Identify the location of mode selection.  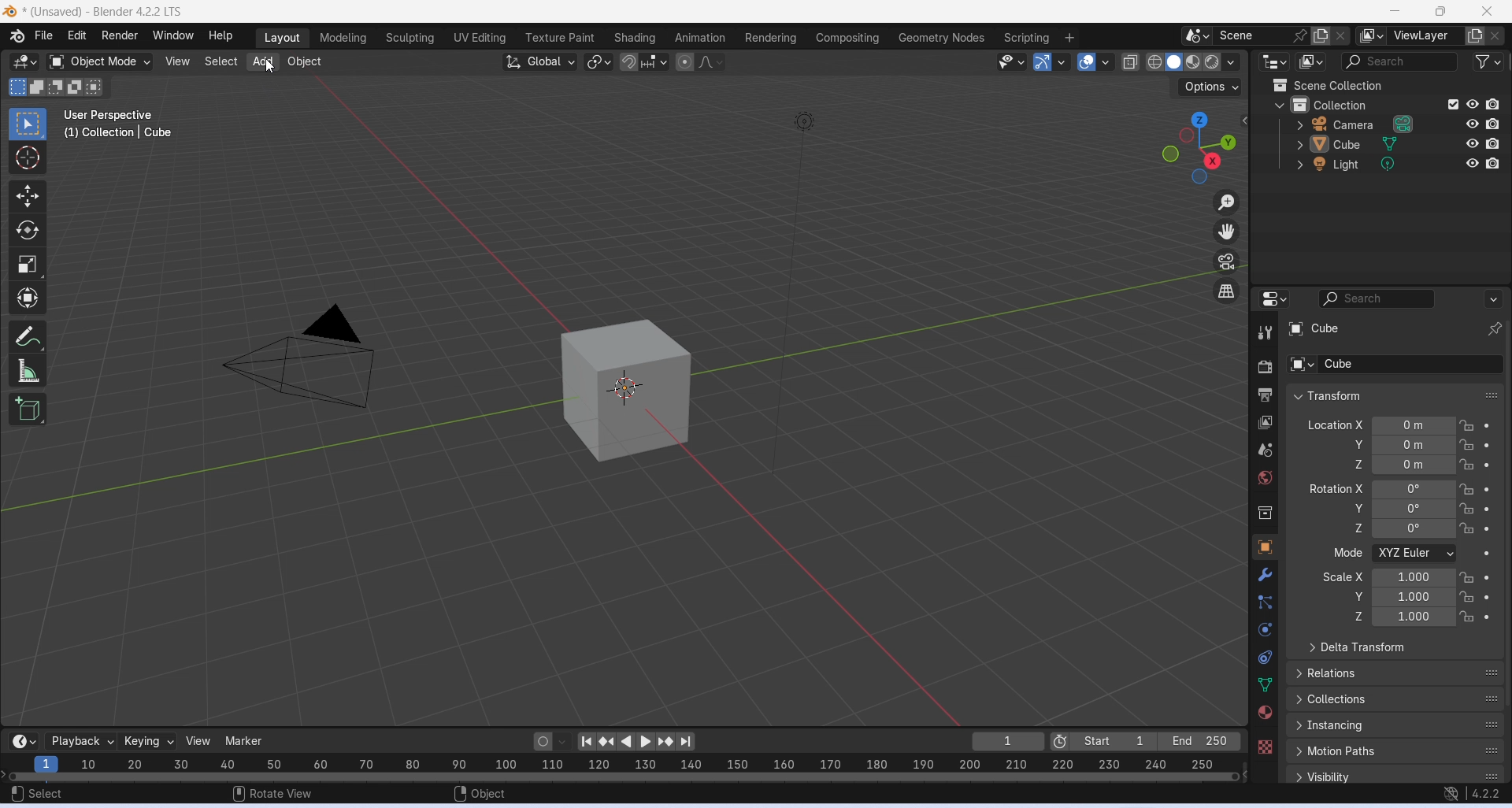
(1415, 554).